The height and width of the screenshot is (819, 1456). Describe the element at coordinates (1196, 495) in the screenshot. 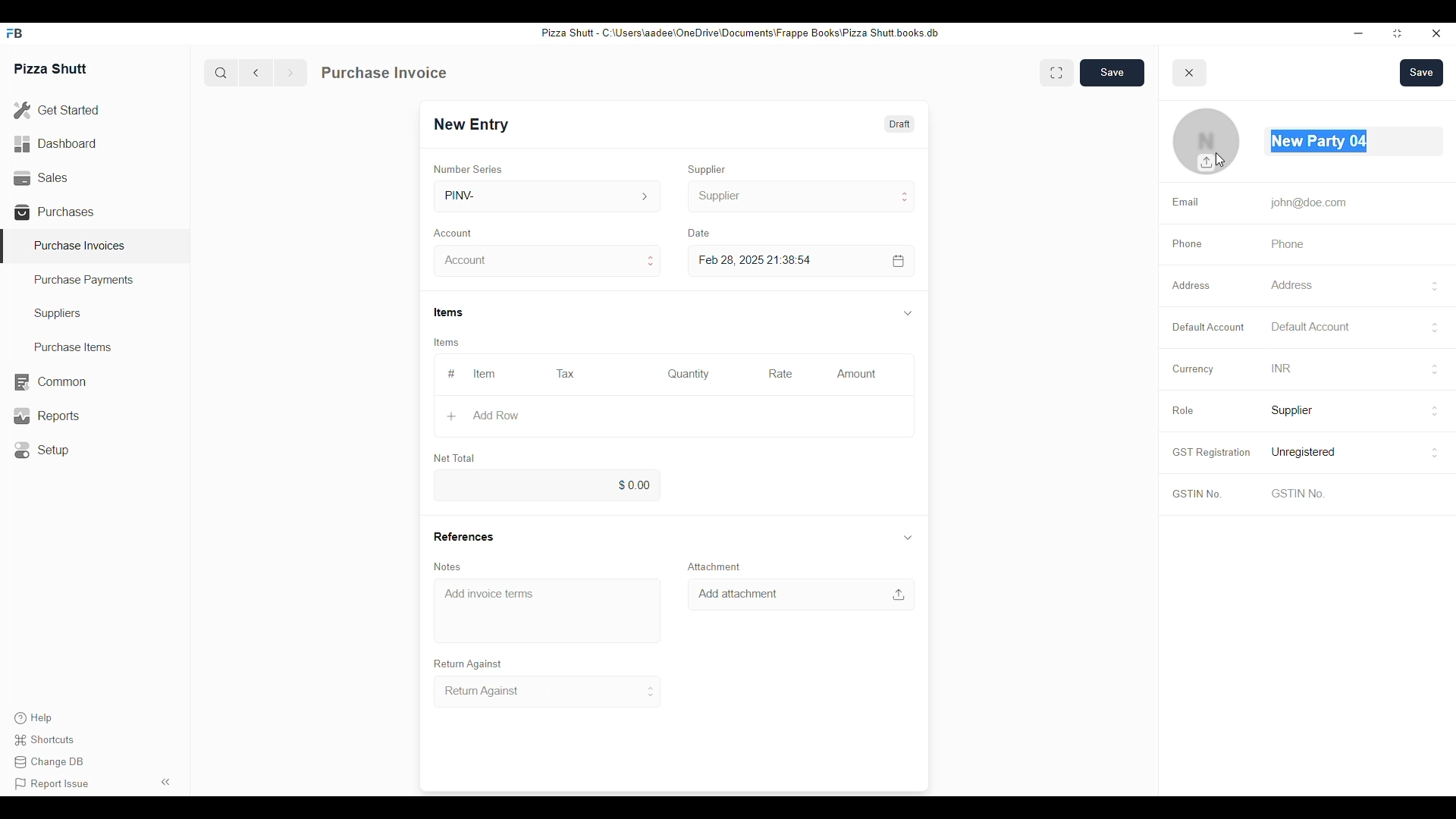

I see `GSTIN No.` at that location.